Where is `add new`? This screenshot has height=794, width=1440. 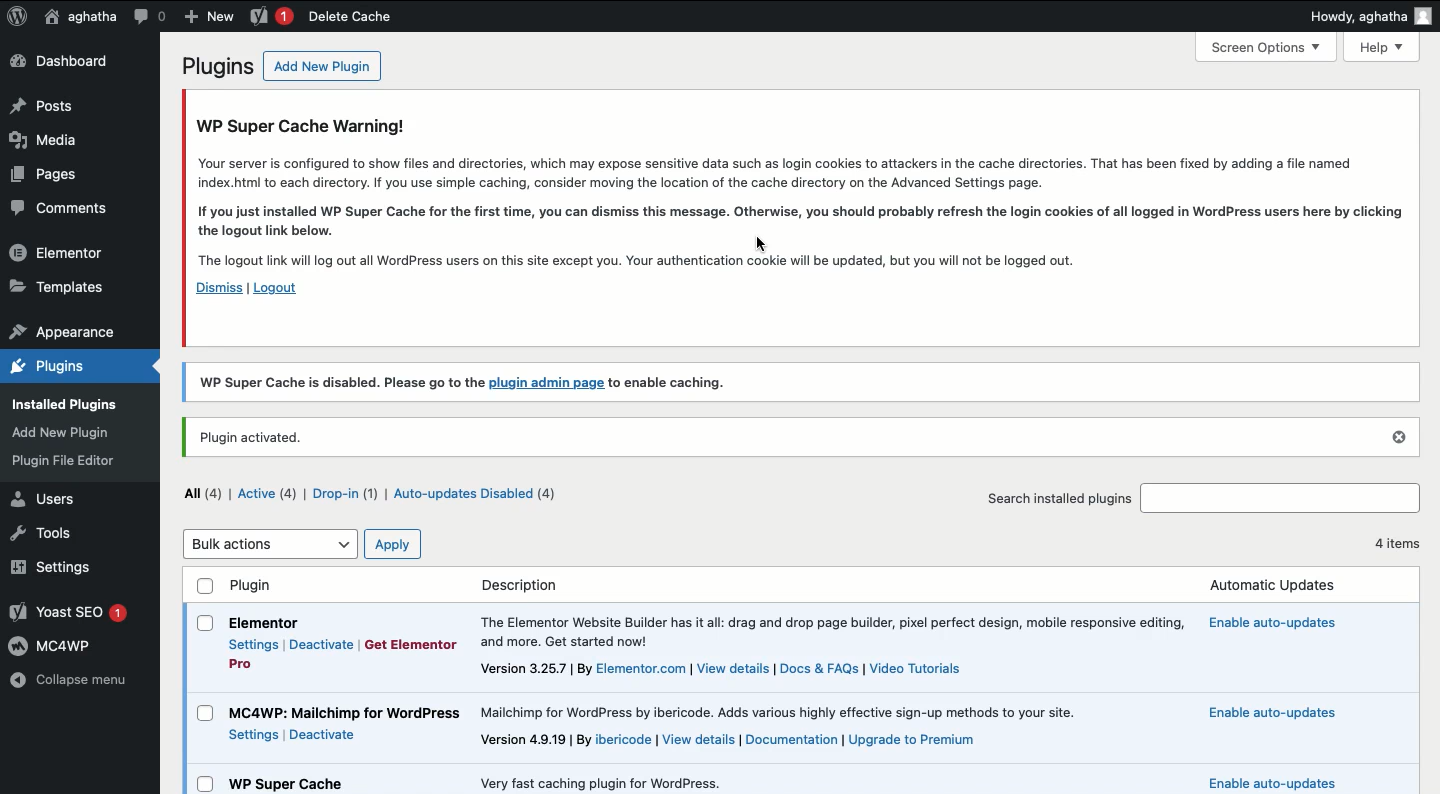
add new is located at coordinates (208, 15).